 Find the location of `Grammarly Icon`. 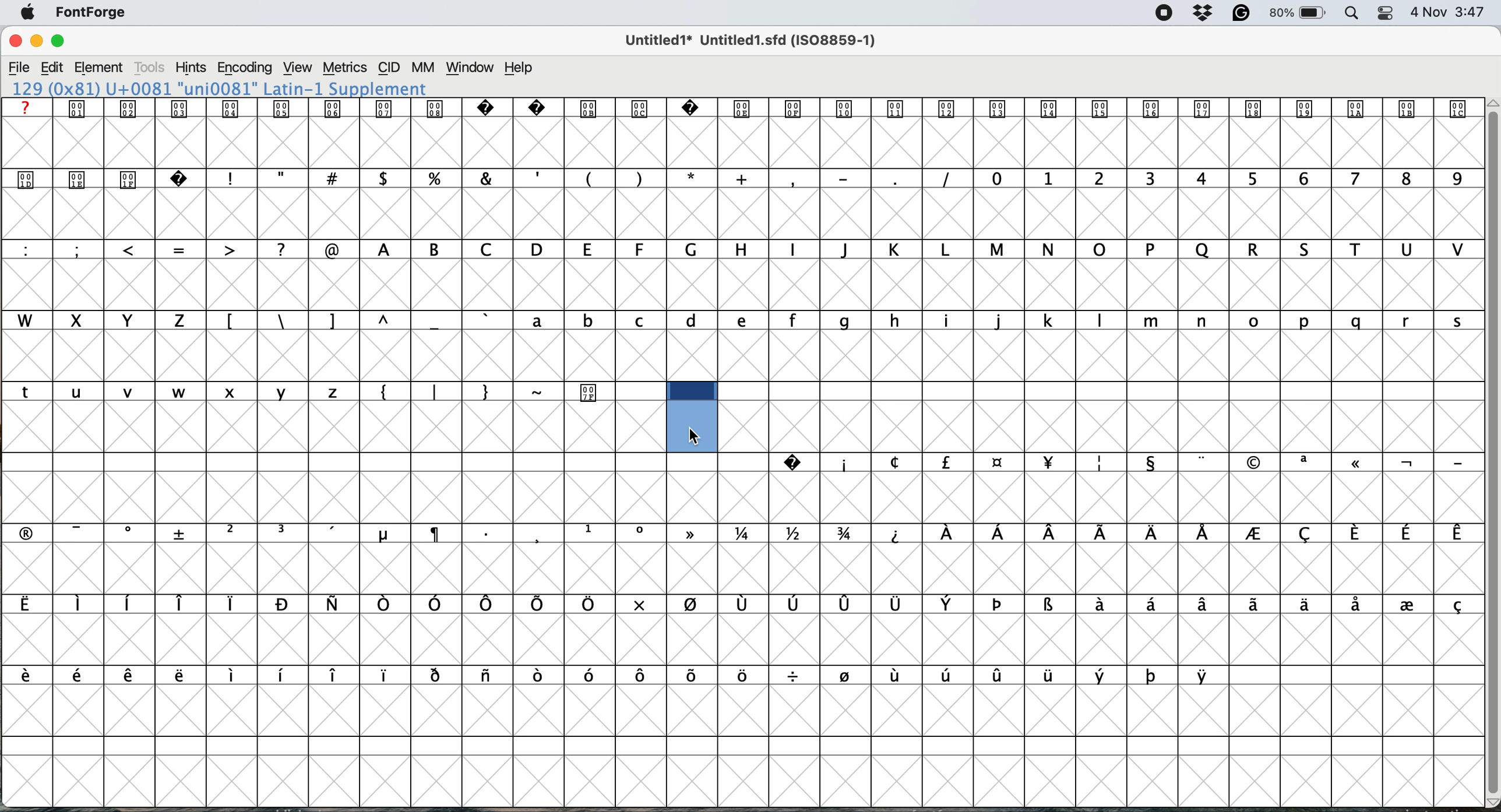

Grammarly Icon is located at coordinates (1241, 13).